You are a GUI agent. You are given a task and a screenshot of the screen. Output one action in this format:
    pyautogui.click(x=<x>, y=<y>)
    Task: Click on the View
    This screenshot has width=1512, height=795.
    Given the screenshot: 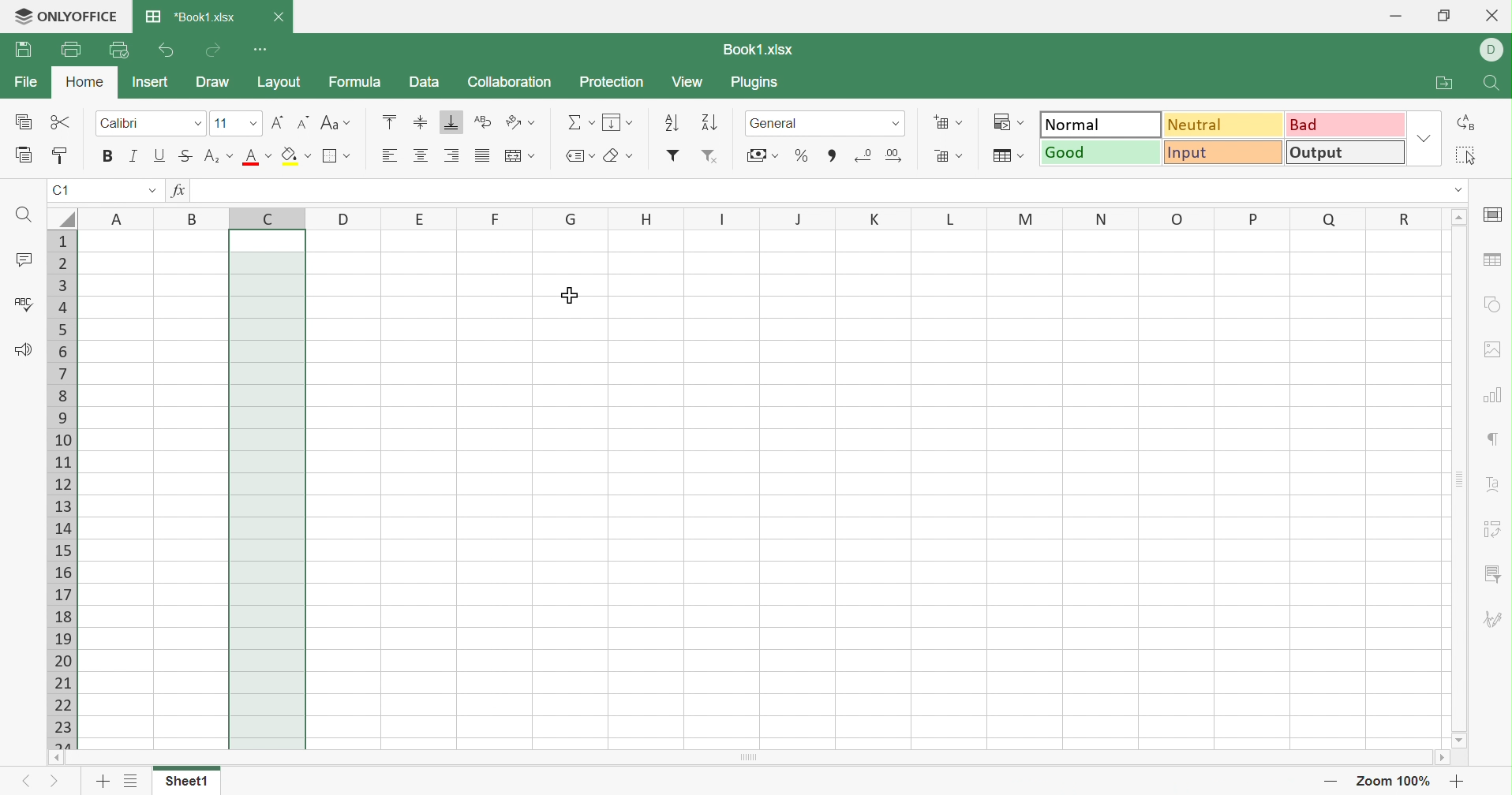 What is the action you would take?
    pyautogui.click(x=687, y=82)
    